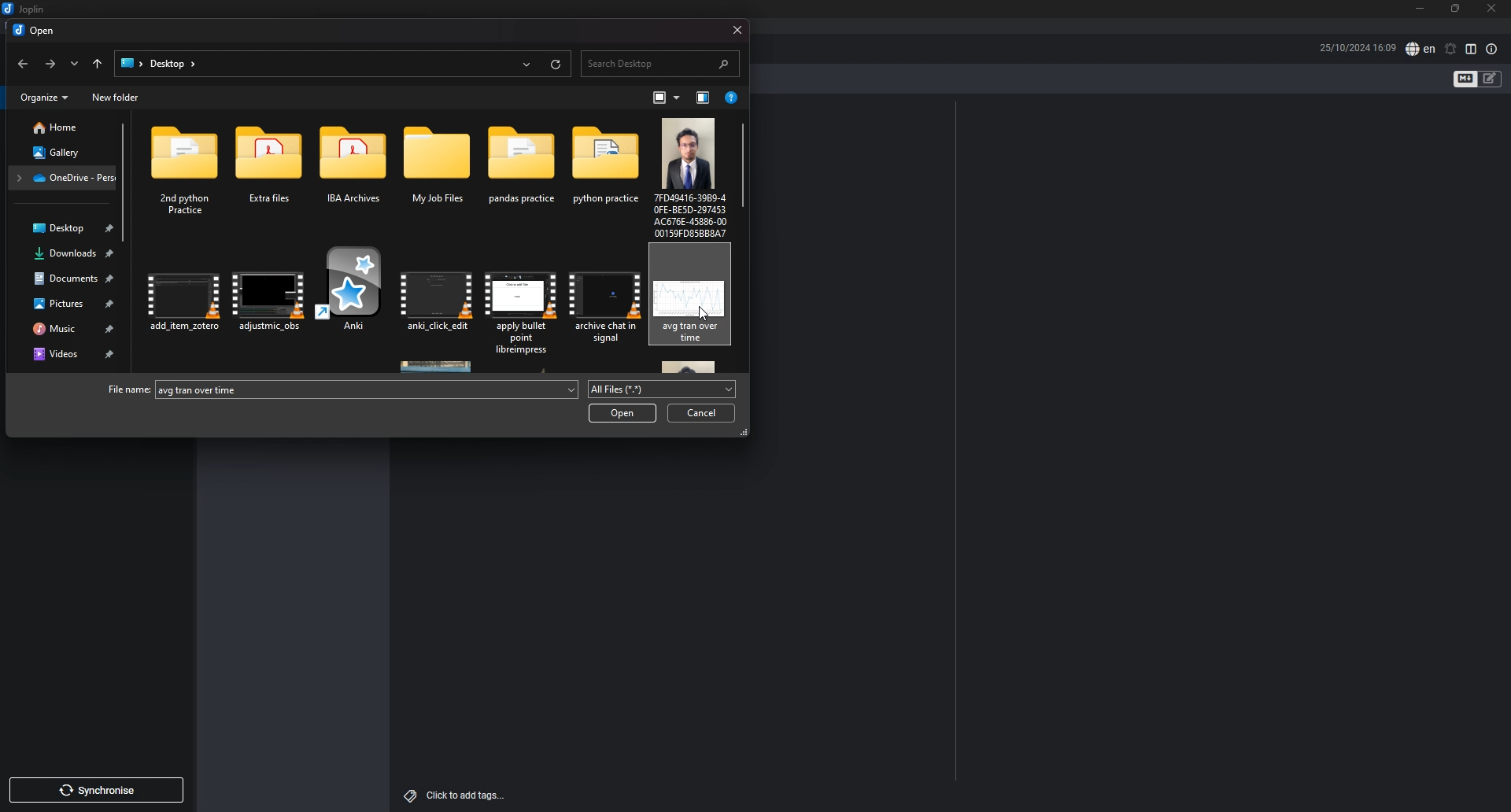 Image resolution: width=1511 pixels, height=812 pixels. I want to click on anki_click_edit, so click(436, 303).